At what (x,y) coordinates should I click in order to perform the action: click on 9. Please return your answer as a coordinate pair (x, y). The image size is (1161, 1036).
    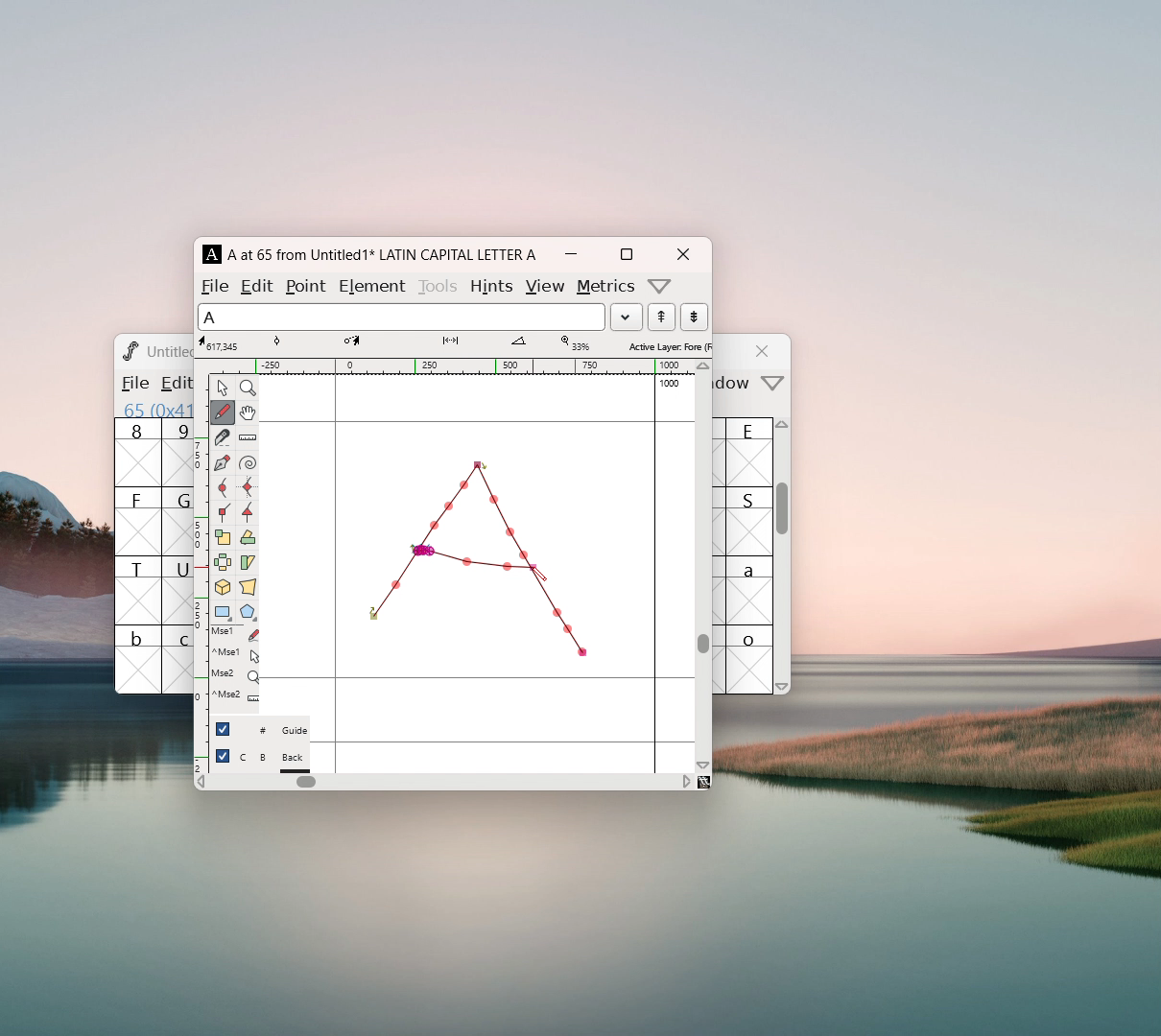
    Looking at the image, I should click on (178, 452).